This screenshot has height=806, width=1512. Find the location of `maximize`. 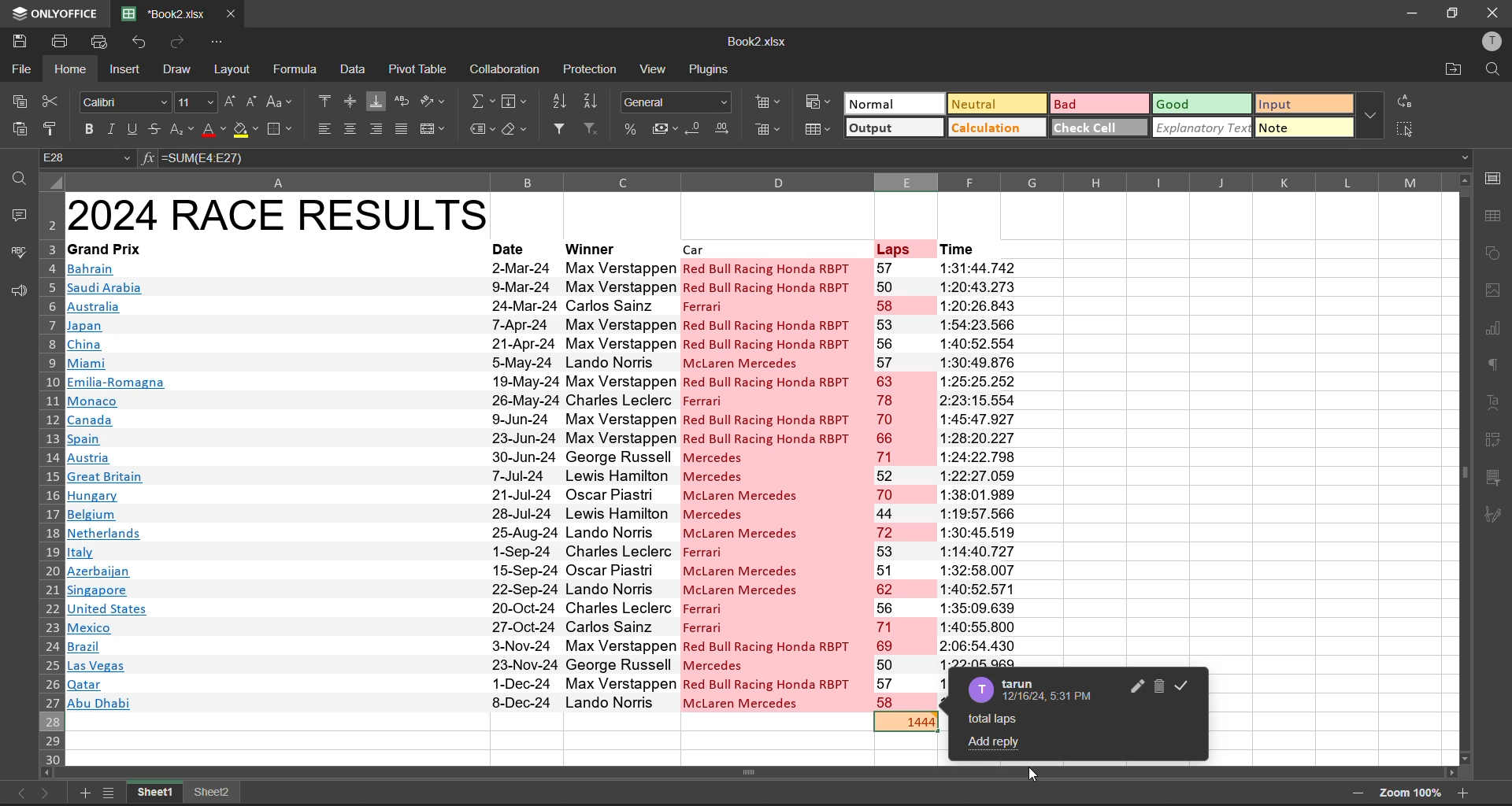

maximize is located at coordinates (1450, 12).